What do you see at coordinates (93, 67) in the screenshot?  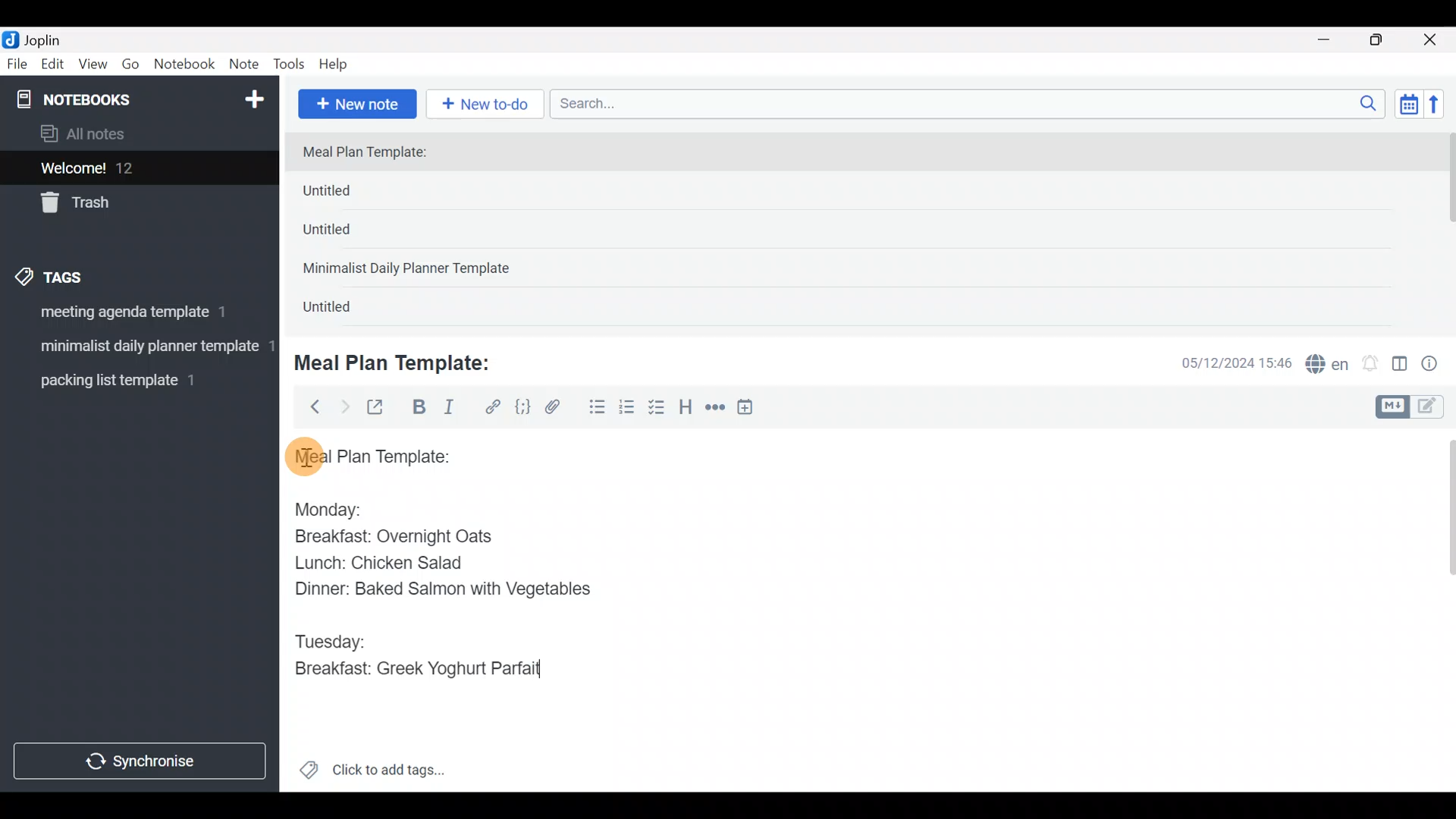 I see `View` at bounding box center [93, 67].